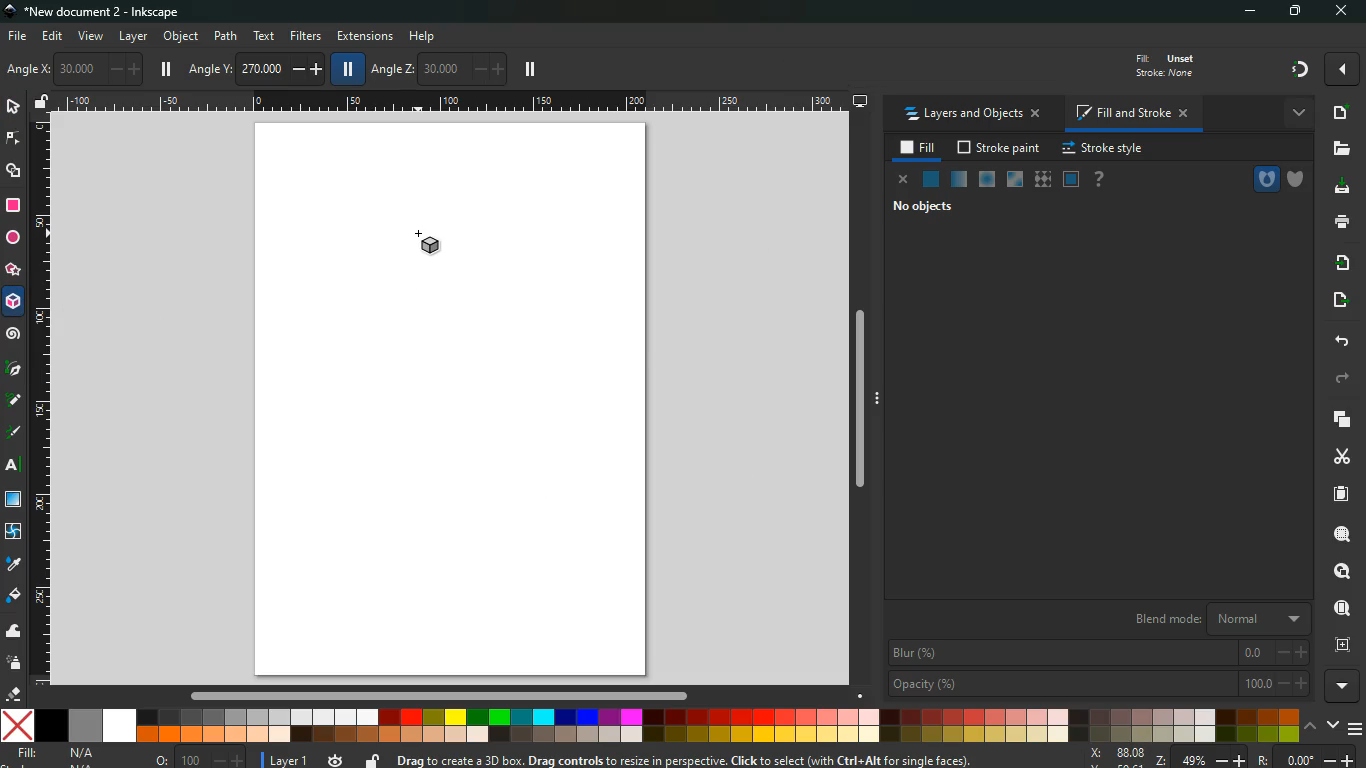  Describe the element at coordinates (1342, 456) in the screenshot. I see `cut` at that location.